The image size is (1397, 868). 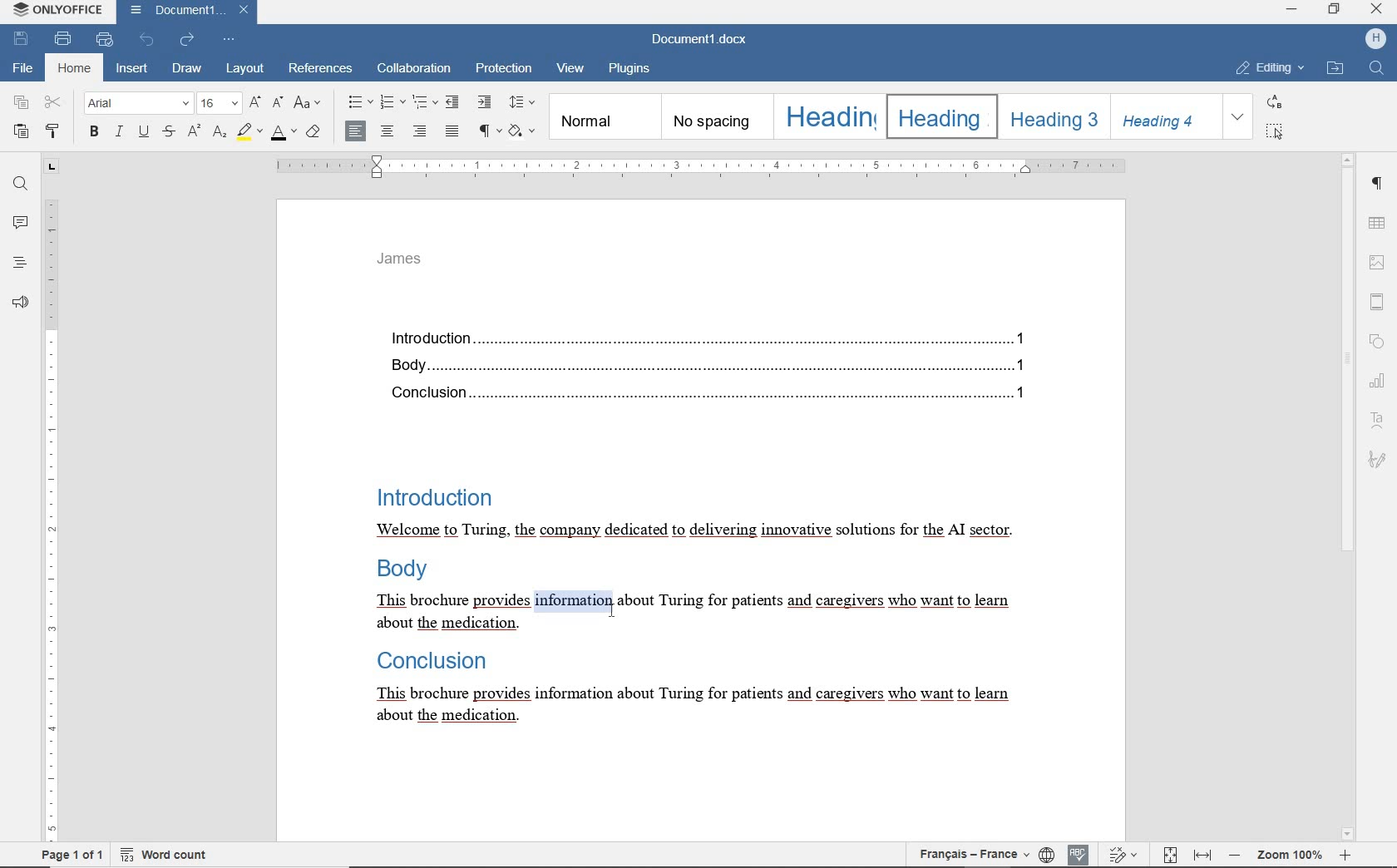 I want to click on SUPERSCRIPT, so click(x=193, y=131).